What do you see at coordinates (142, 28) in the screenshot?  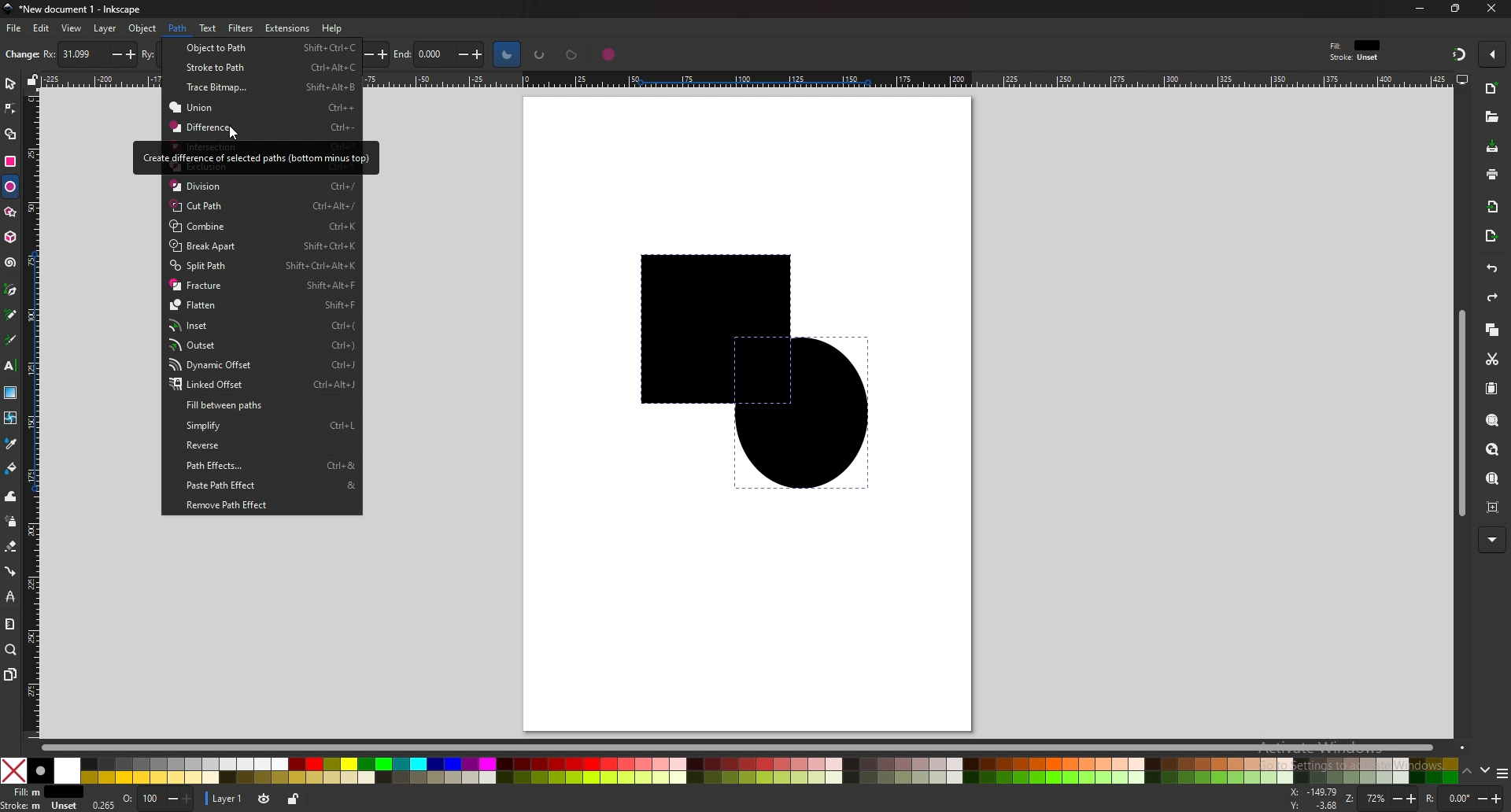 I see `object` at bounding box center [142, 28].